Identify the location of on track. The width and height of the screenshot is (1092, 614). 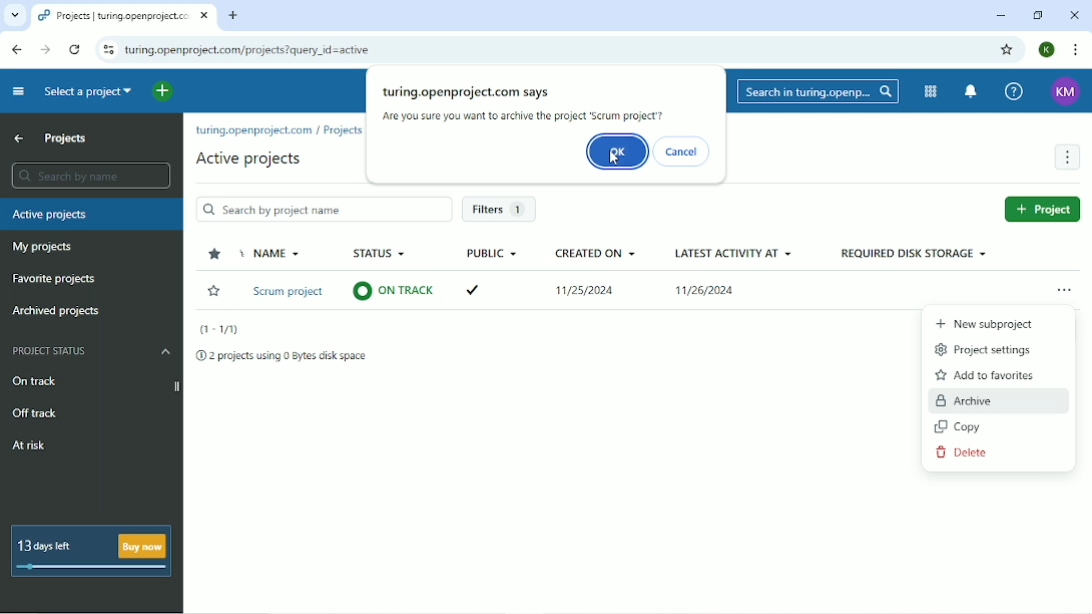
(394, 289).